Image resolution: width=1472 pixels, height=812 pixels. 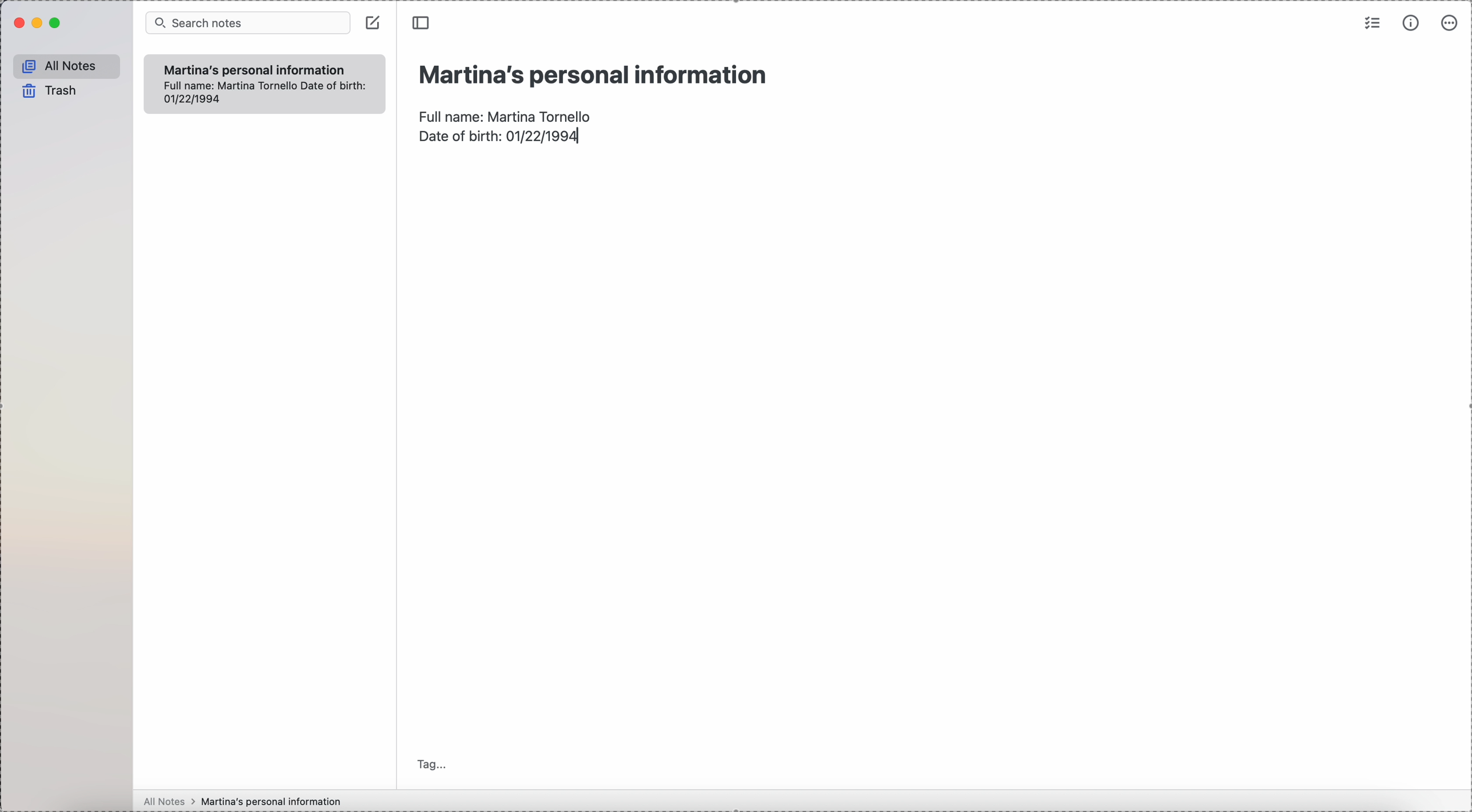 What do you see at coordinates (18, 24) in the screenshot?
I see `close Simplenote` at bounding box center [18, 24].